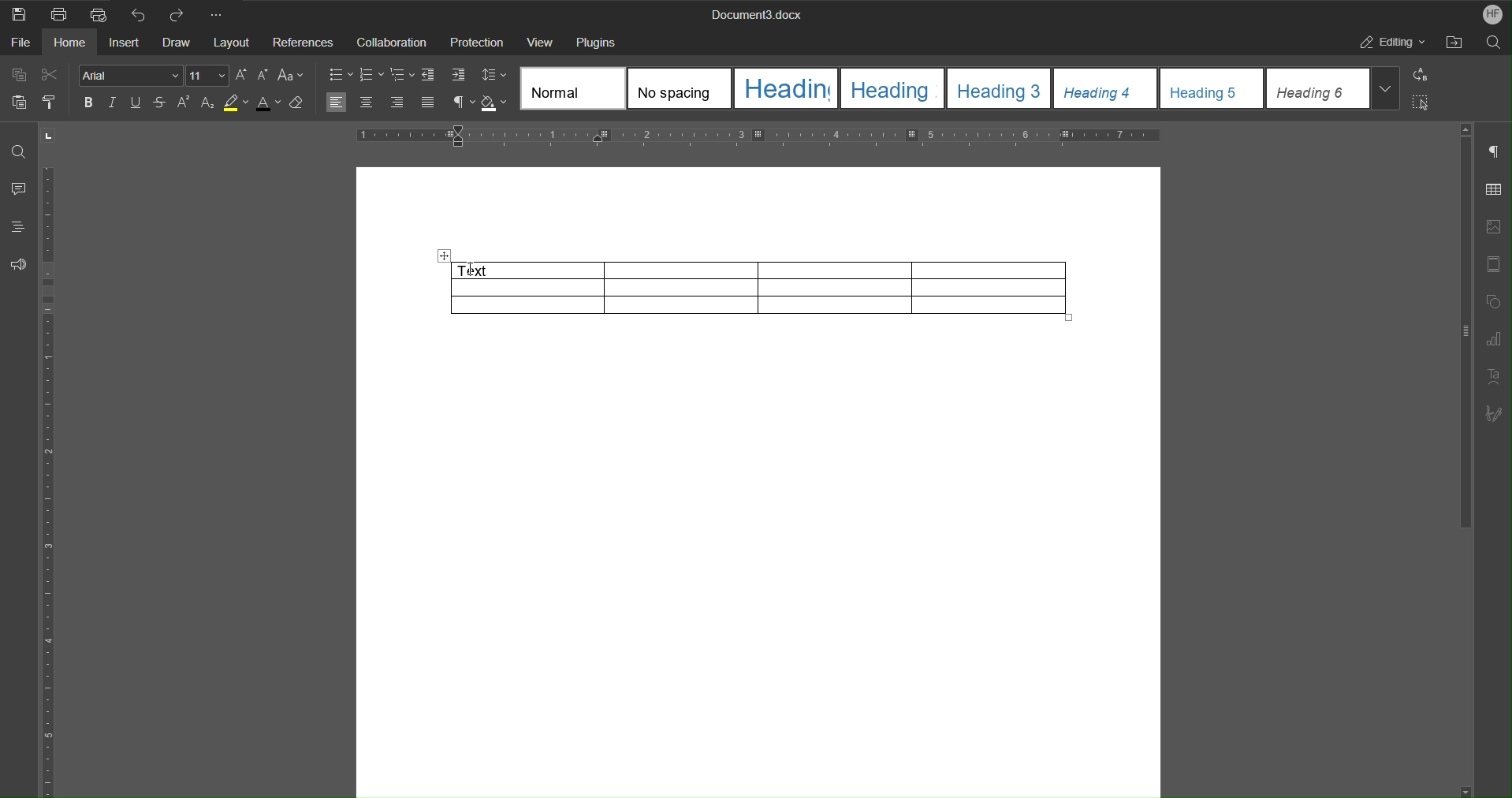  What do you see at coordinates (1495, 375) in the screenshot?
I see `Text Art` at bounding box center [1495, 375].